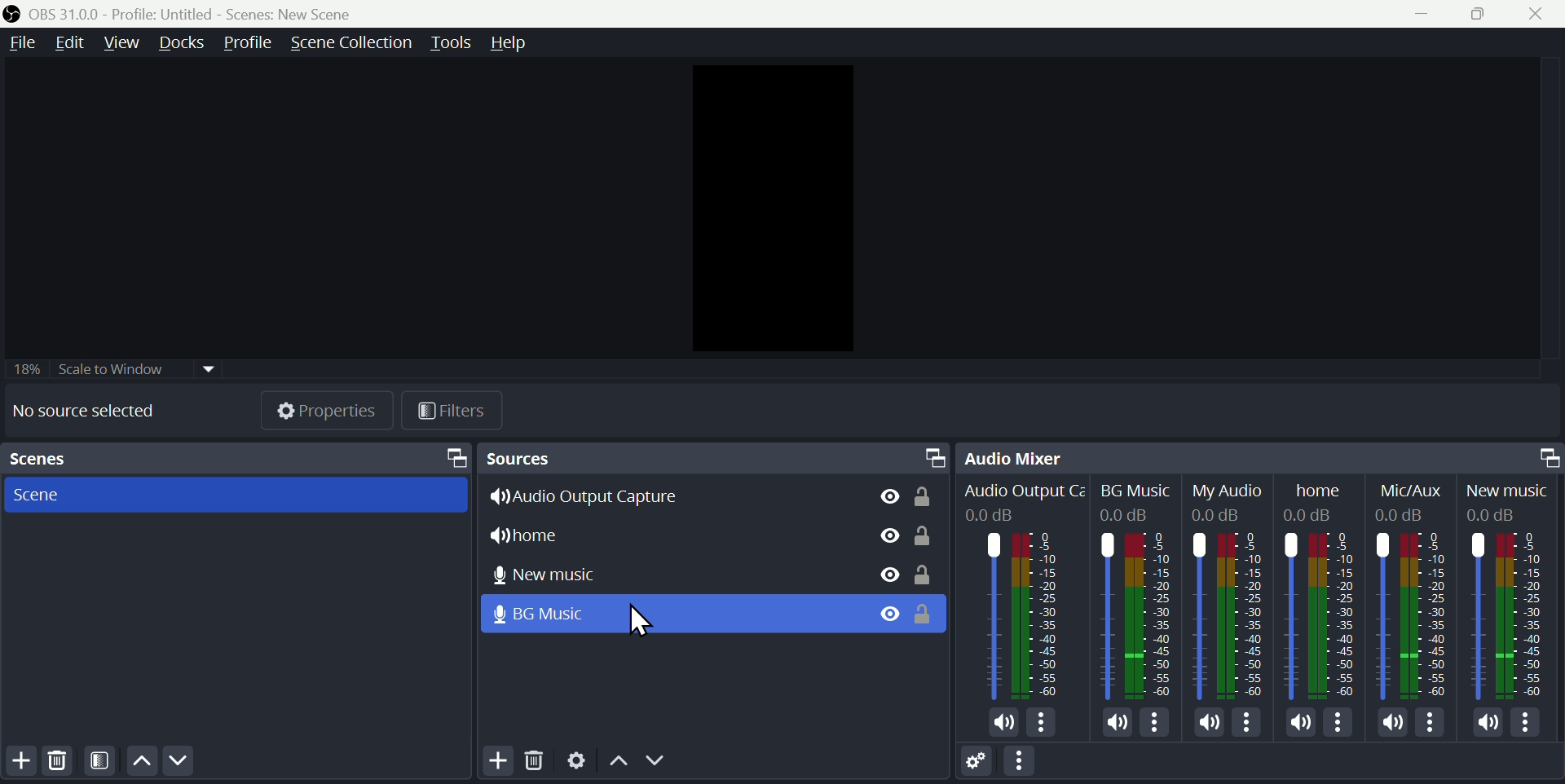  Describe the element at coordinates (1249, 724) in the screenshot. I see `More` at that location.